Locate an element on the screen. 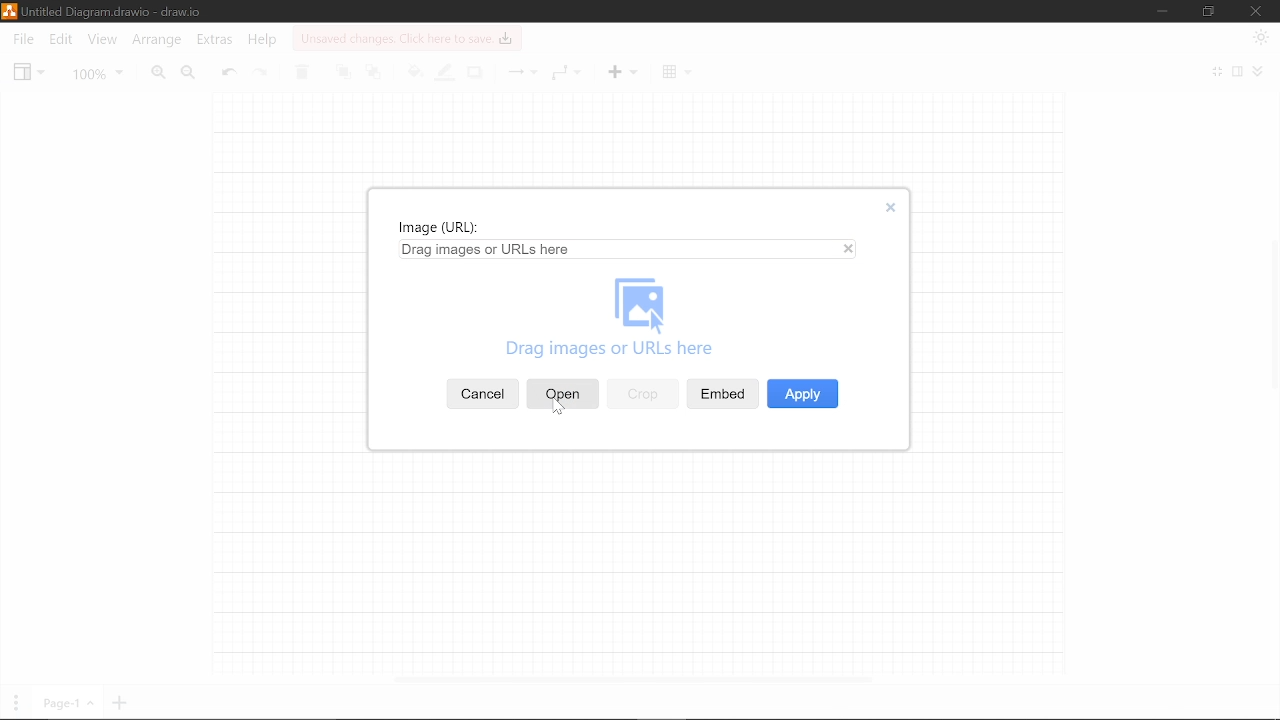  Add page is located at coordinates (120, 705).